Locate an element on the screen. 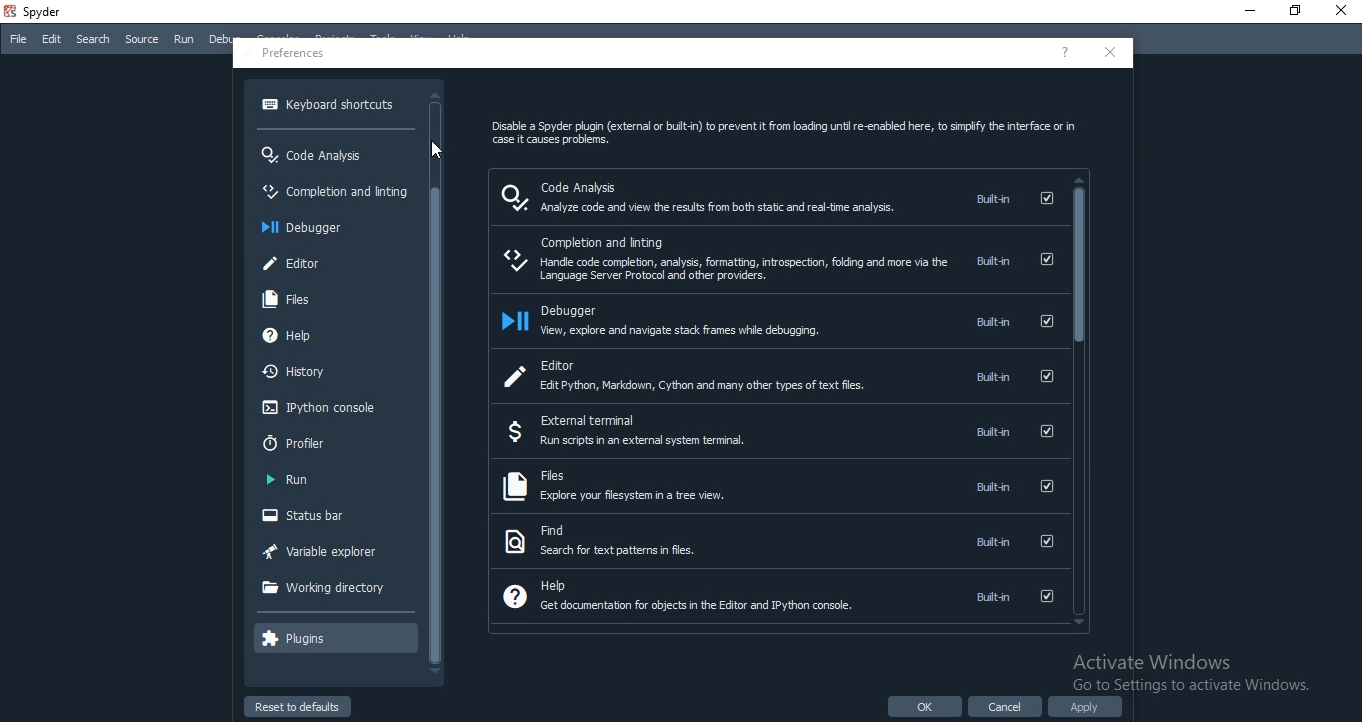 This screenshot has width=1362, height=722. scroll bar is located at coordinates (1080, 401).